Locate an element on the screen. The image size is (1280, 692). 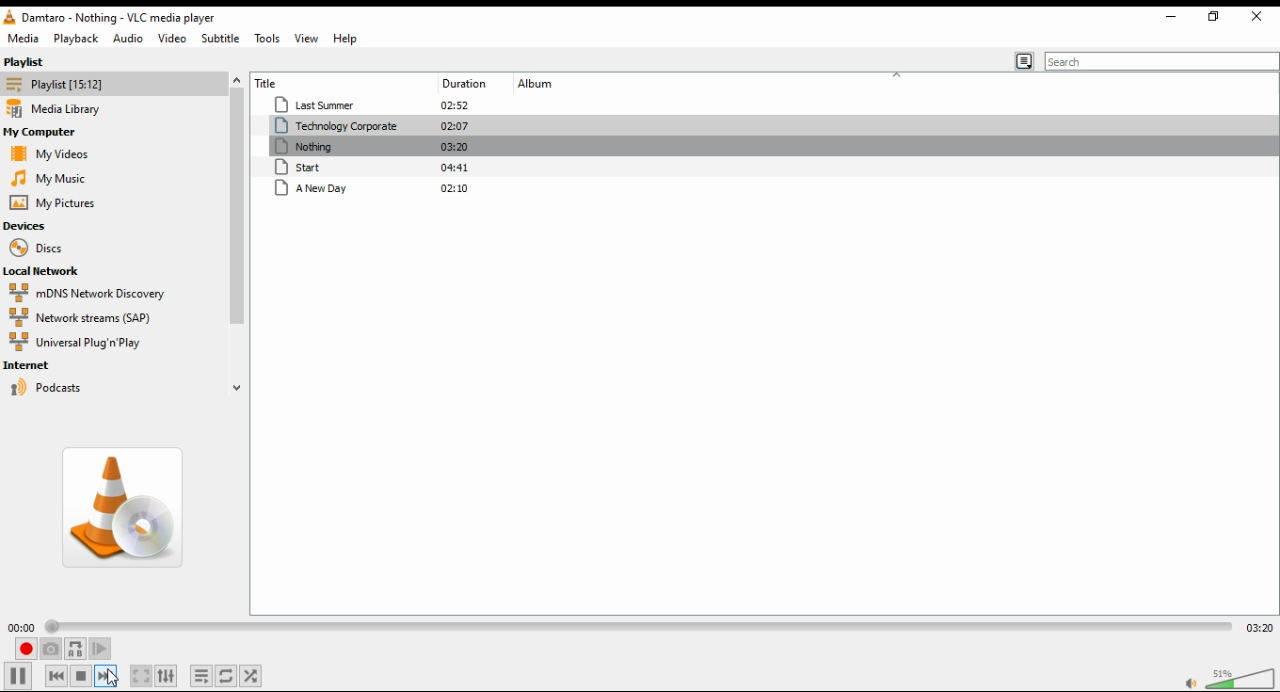
toggle playlist view is located at coordinates (1023, 59).